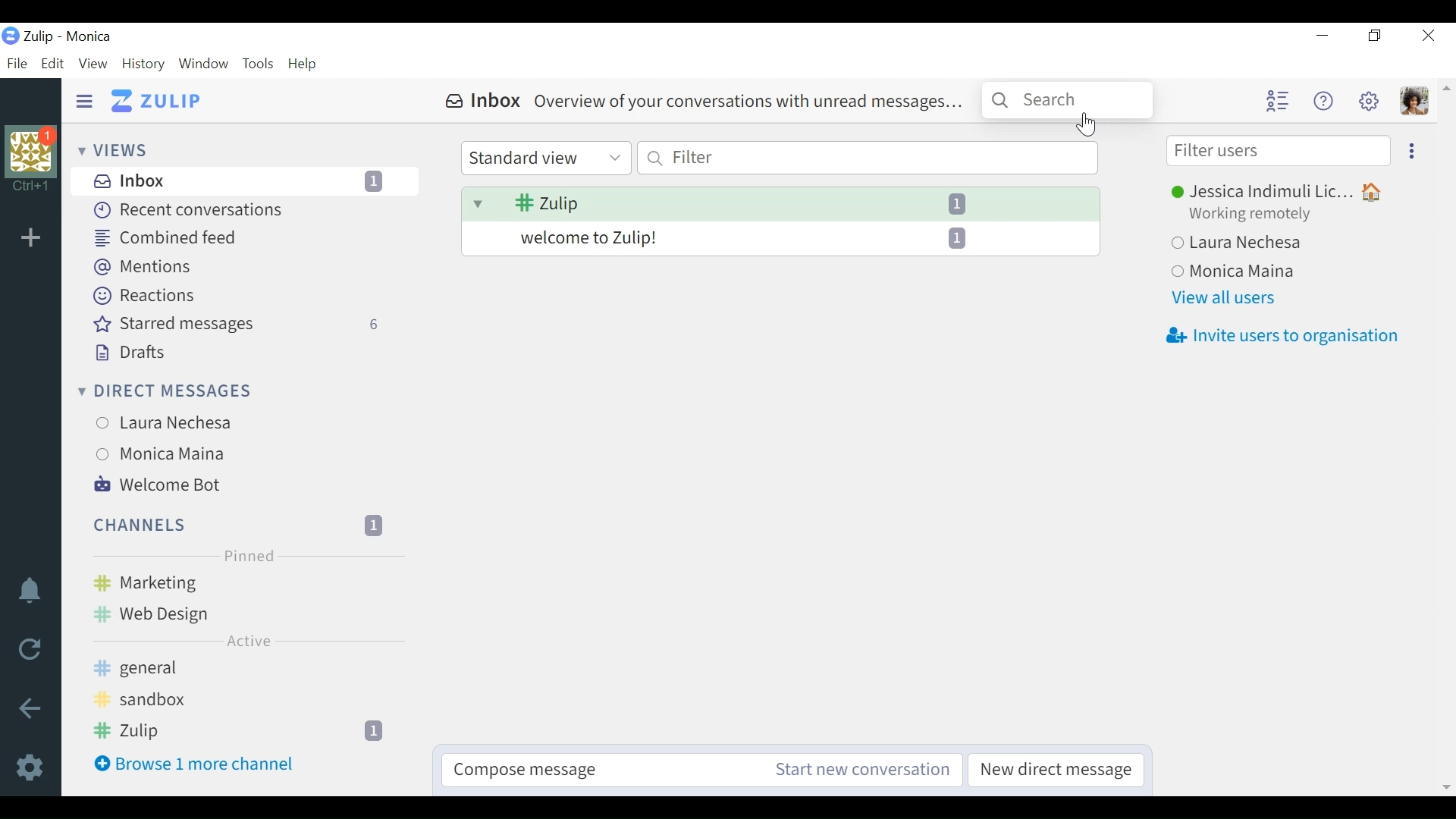 The width and height of the screenshot is (1456, 819). Describe the element at coordinates (244, 613) in the screenshot. I see `Web Design` at that location.